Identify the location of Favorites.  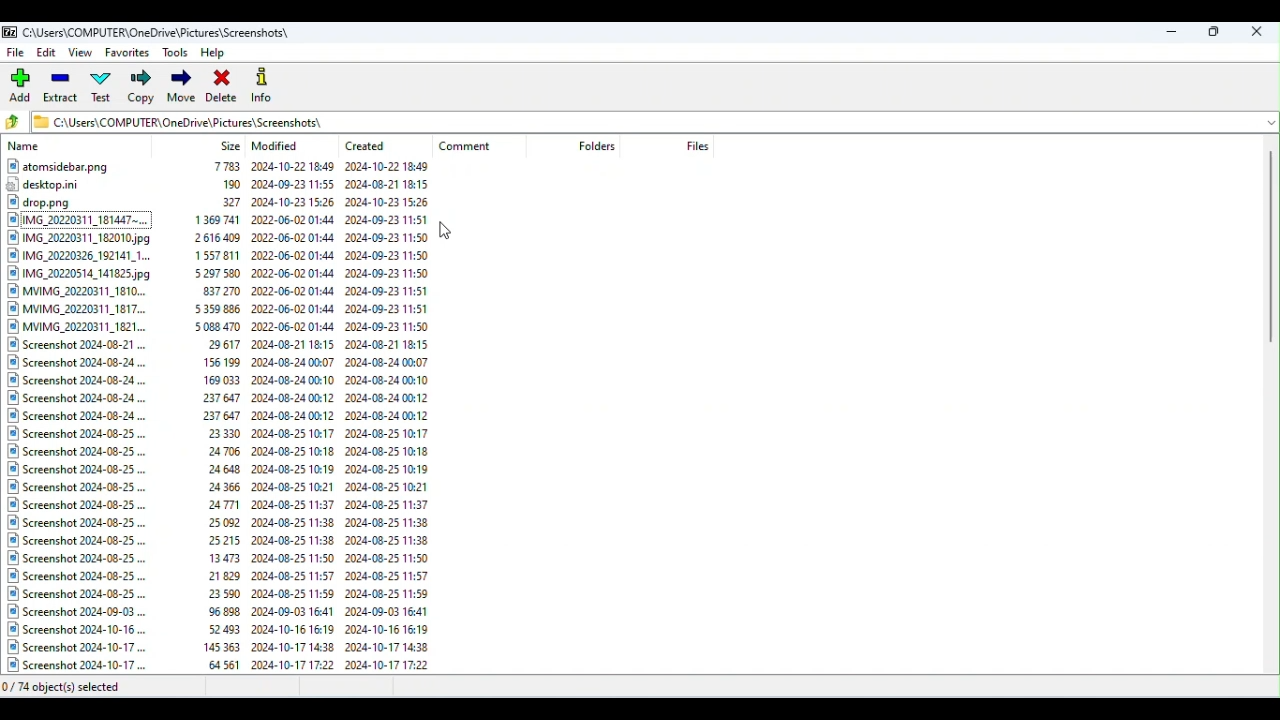
(126, 55).